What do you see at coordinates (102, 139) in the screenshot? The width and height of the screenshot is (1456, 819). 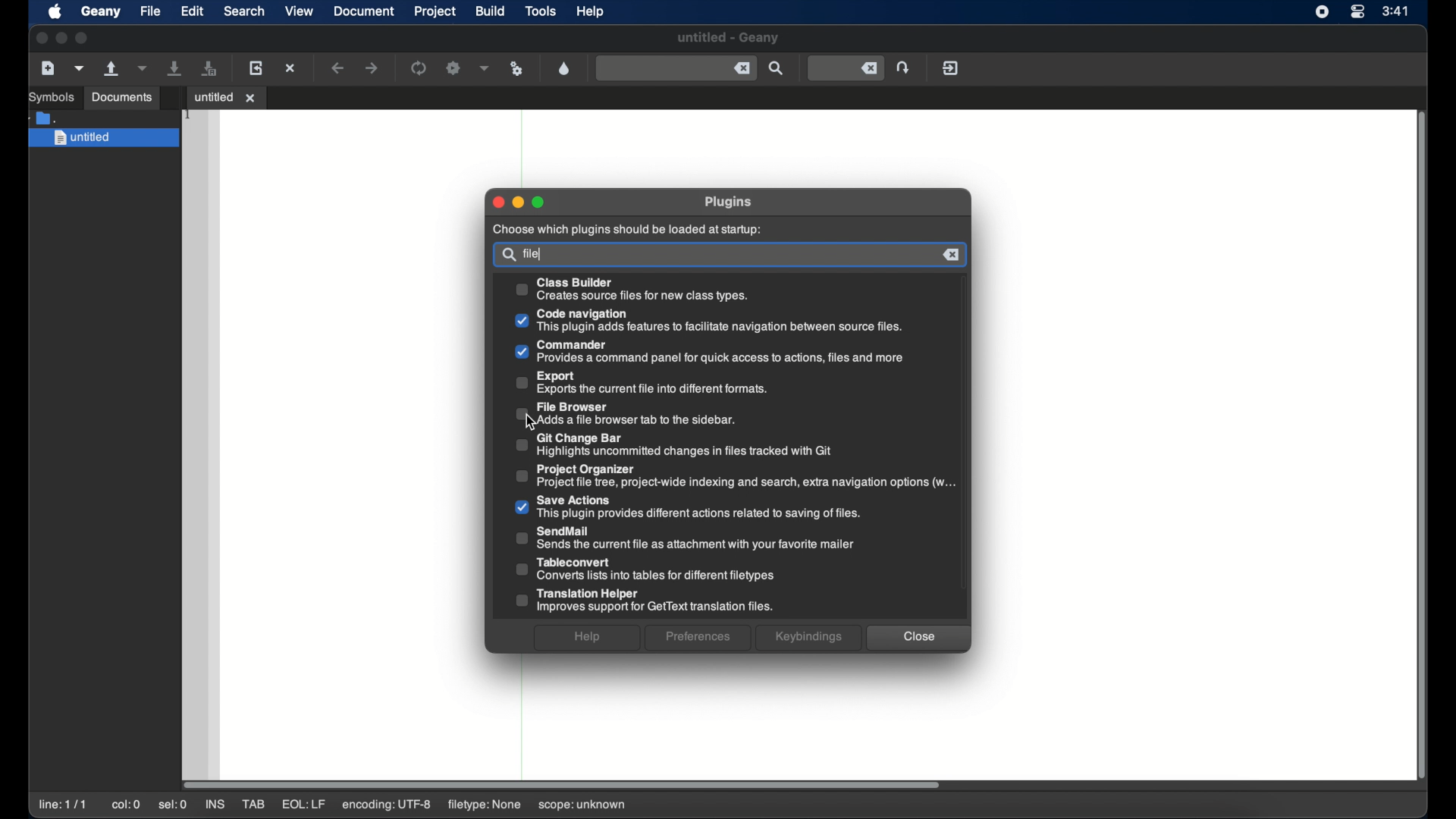 I see `untitled` at bounding box center [102, 139].